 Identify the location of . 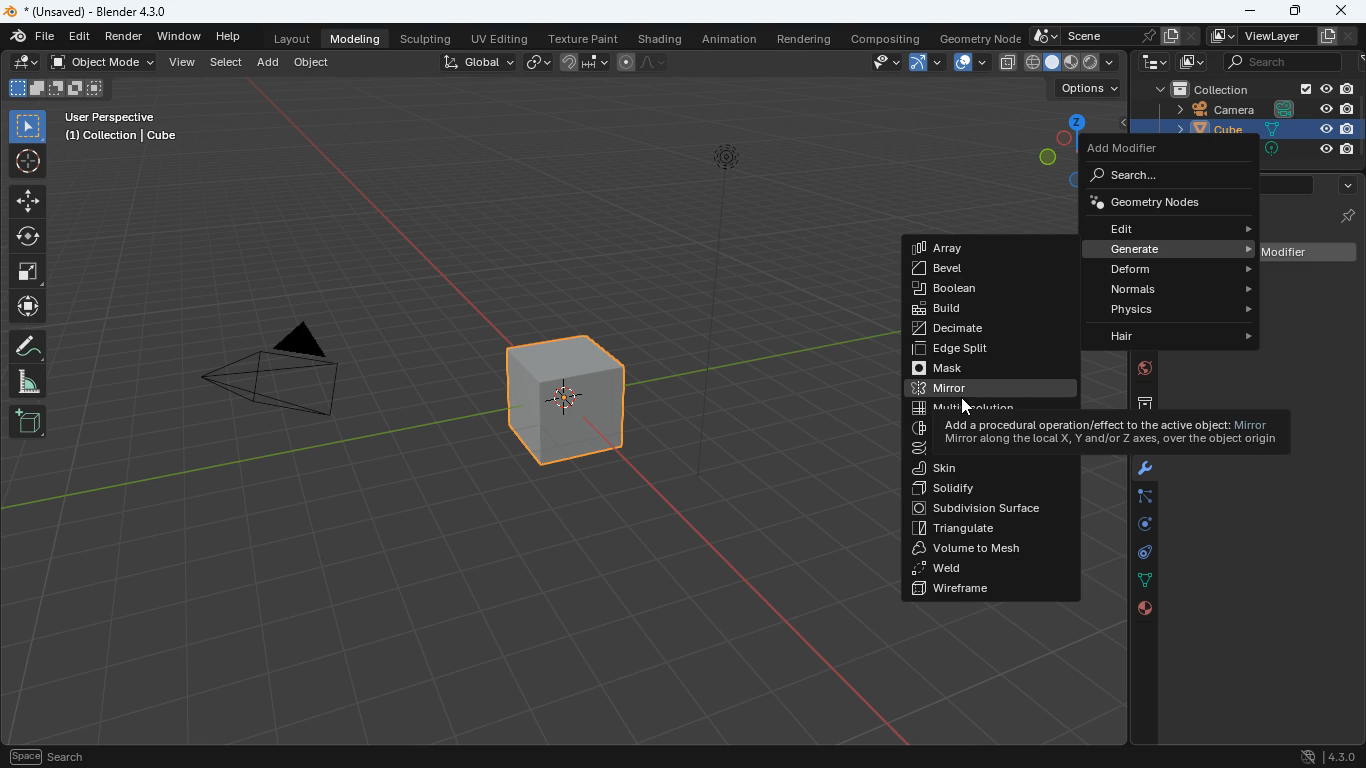
(123, 129).